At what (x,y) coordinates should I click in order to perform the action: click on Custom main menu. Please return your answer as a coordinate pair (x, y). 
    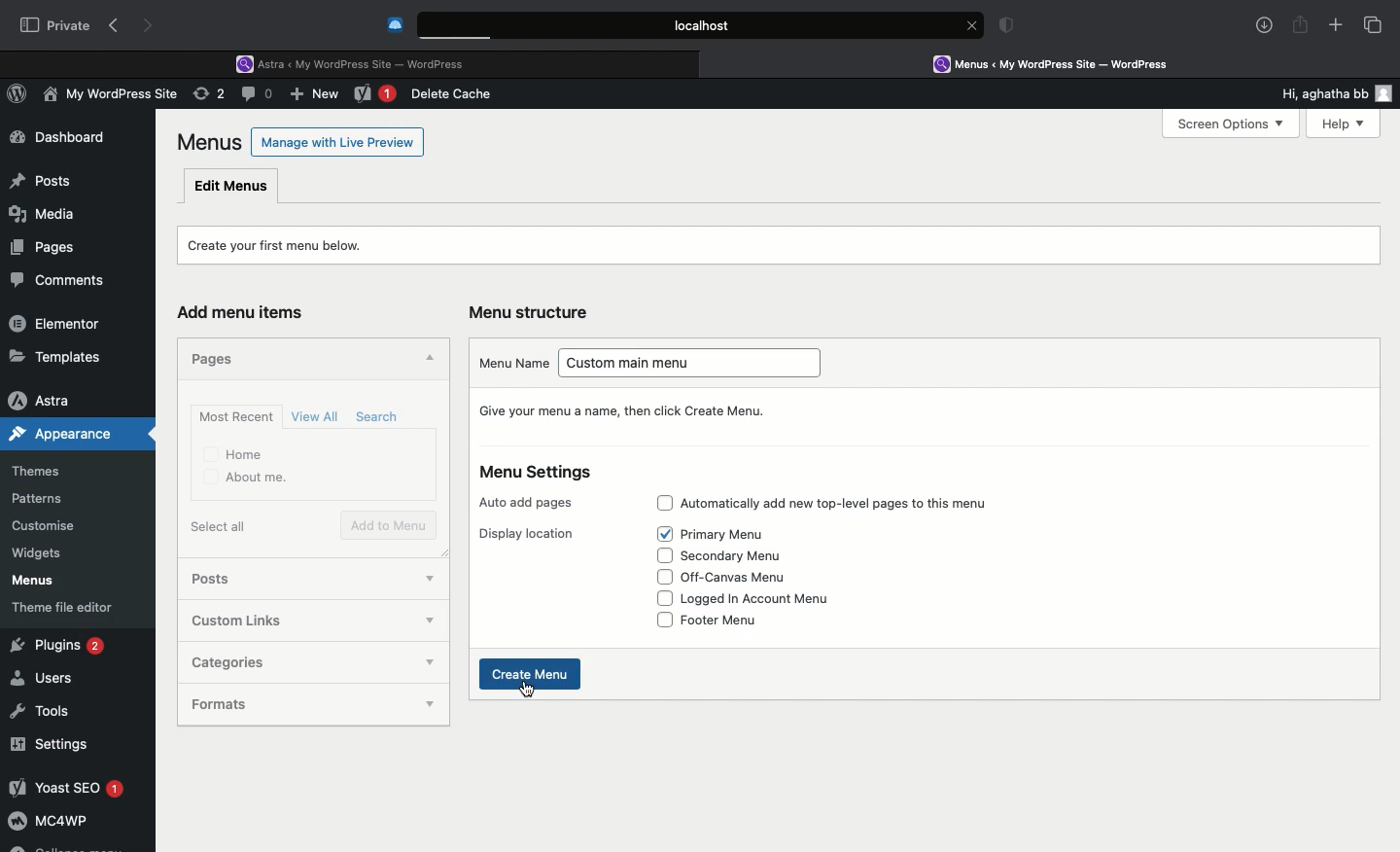
    Looking at the image, I should click on (697, 366).